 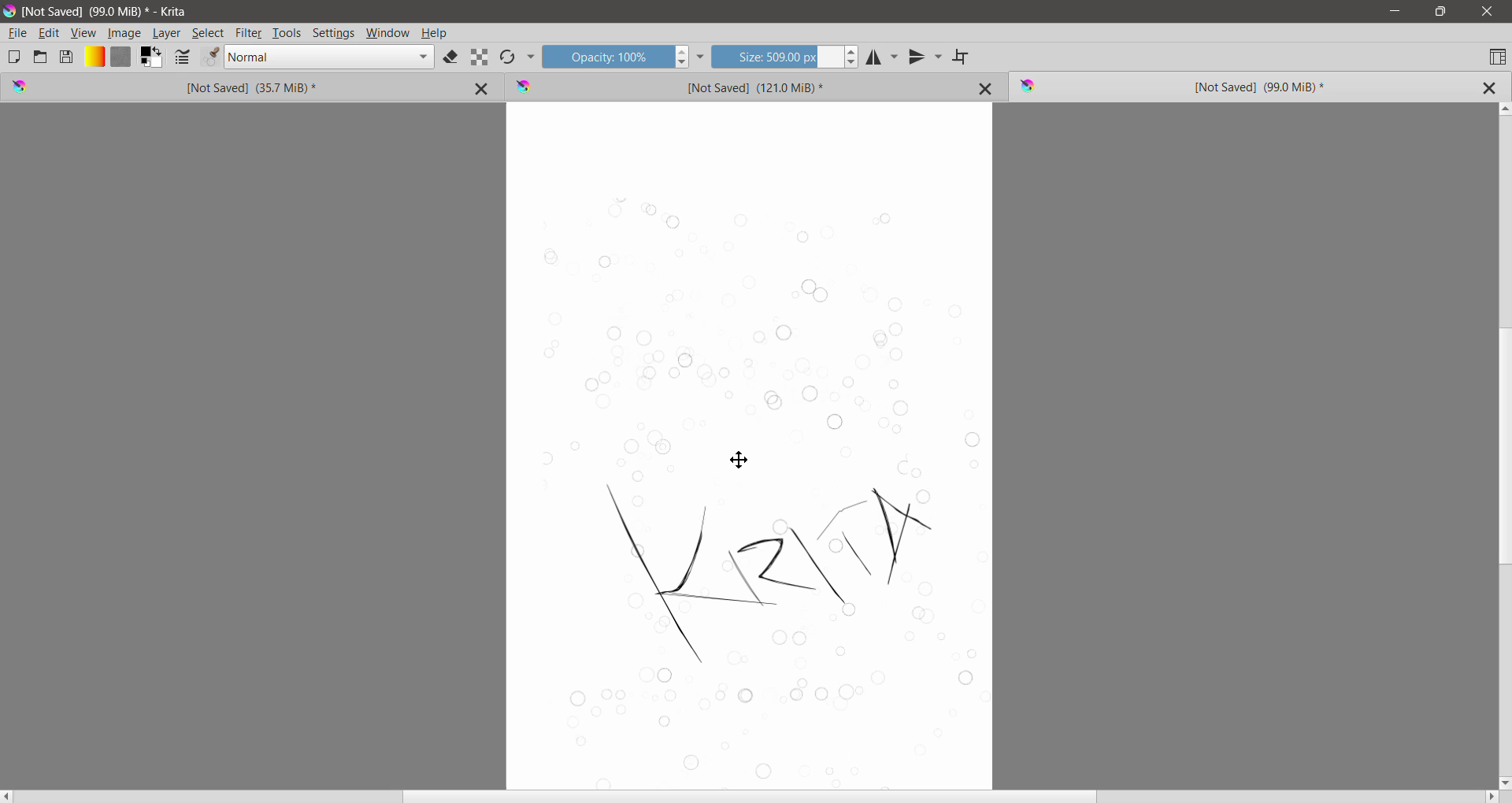 What do you see at coordinates (760, 485) in the screenshot?
I see `Selection Moved on Canvas` at bounding box center [760, 485].